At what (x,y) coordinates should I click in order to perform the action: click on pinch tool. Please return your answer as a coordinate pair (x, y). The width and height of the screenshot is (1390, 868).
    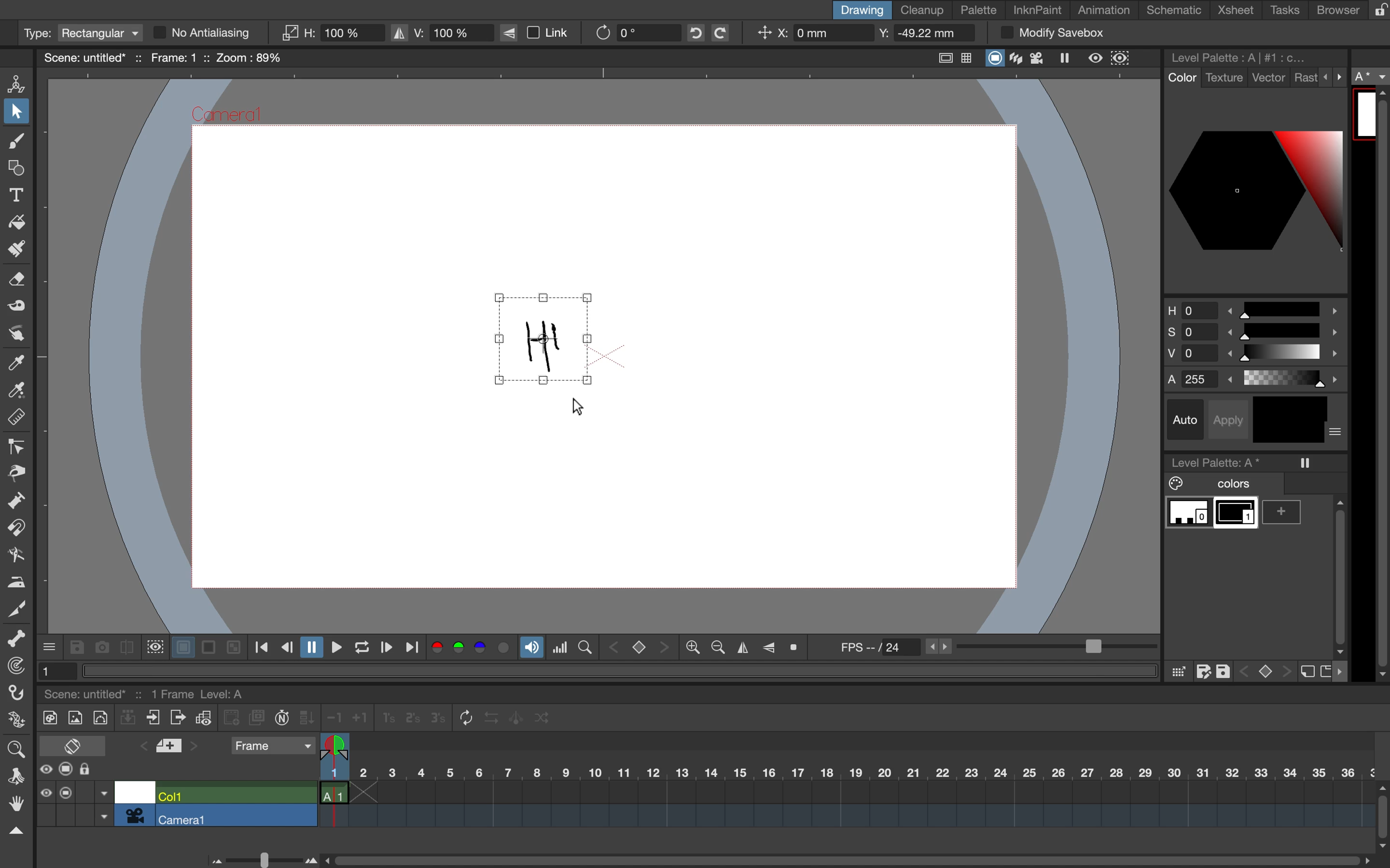
    Looking at the image, I should click on (17, 472).